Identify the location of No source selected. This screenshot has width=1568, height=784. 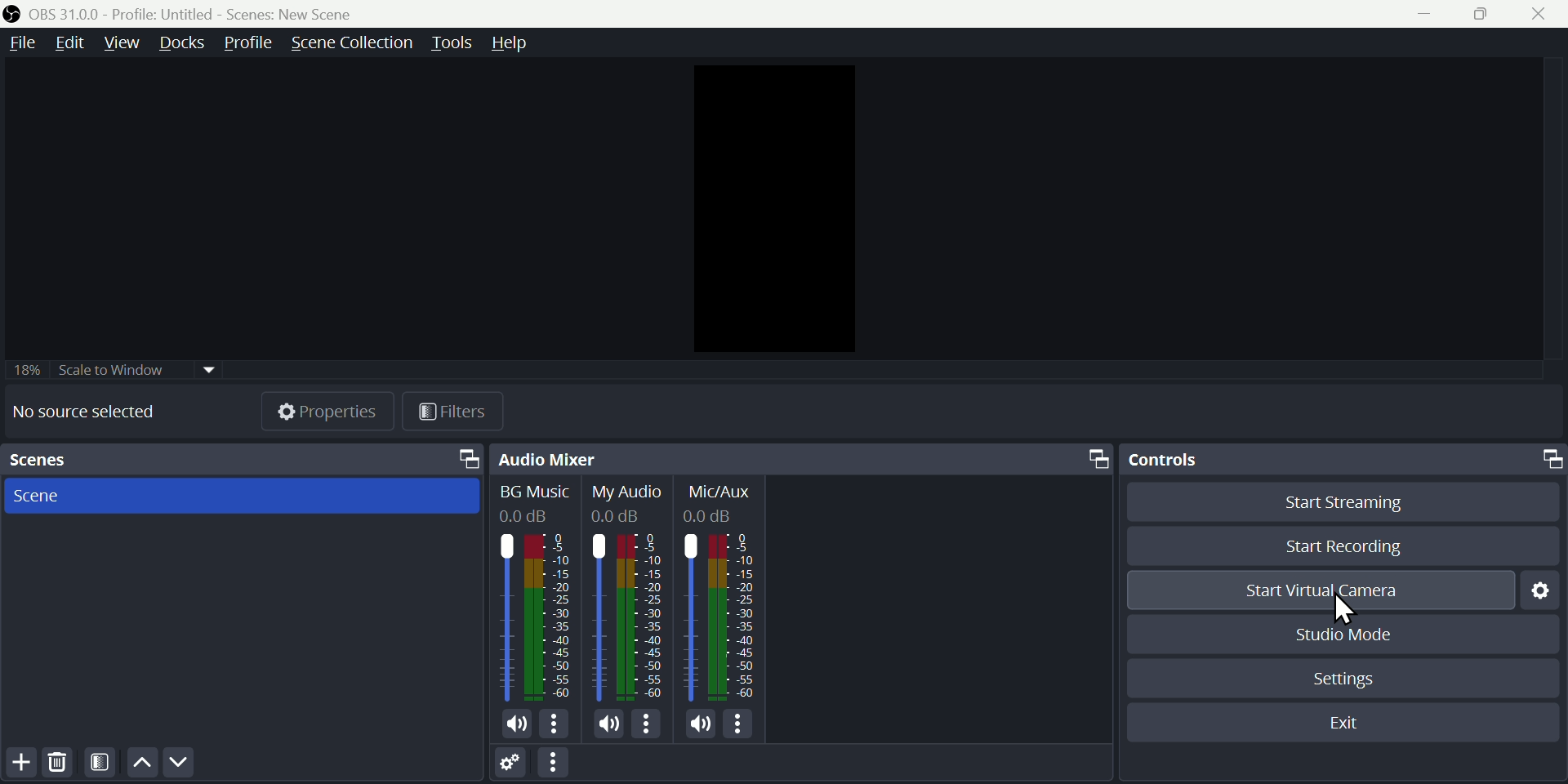
(82, 416).